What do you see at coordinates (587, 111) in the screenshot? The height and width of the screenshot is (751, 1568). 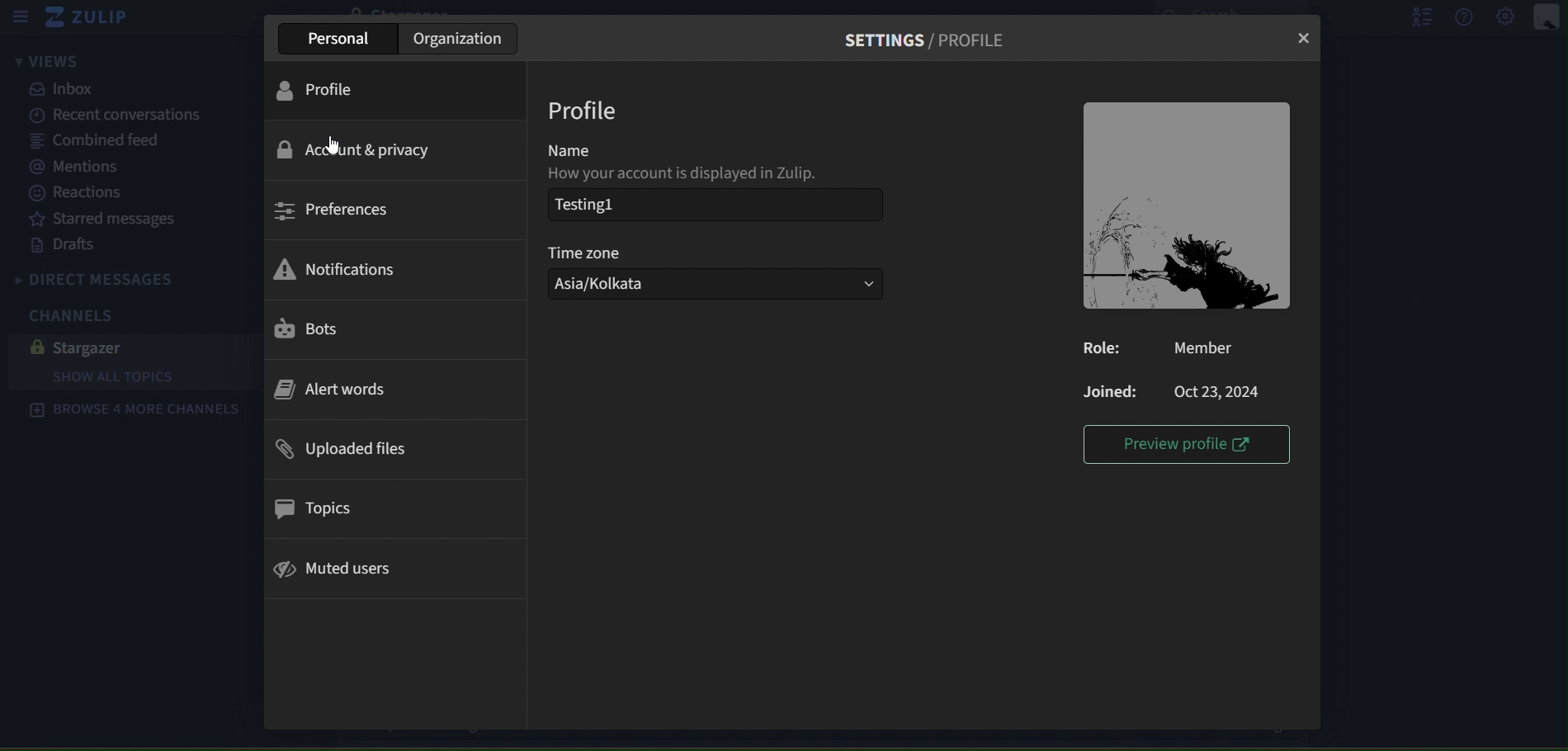 I see `profile` at bounding box center [587, 111].